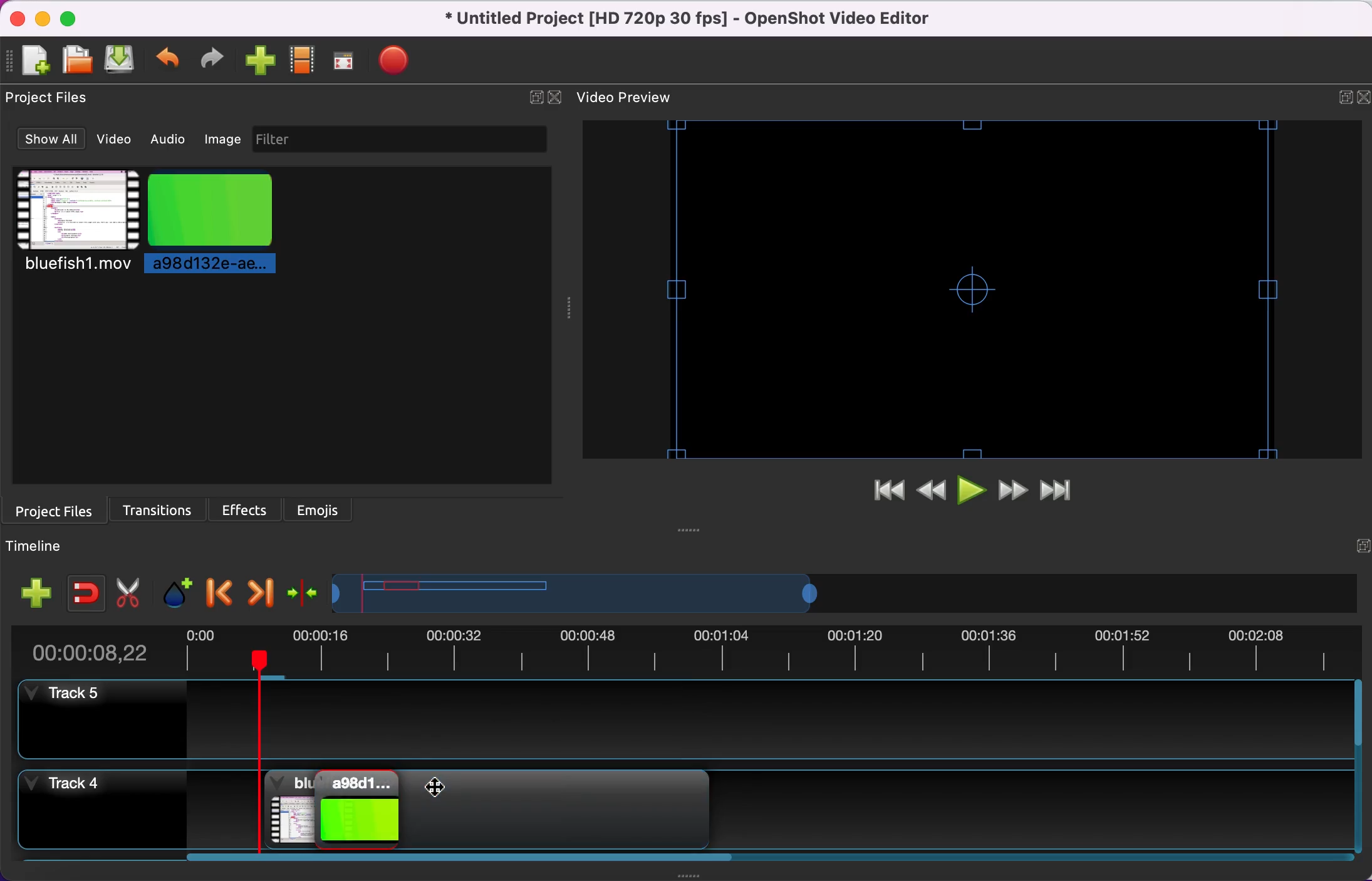  What do you see at coordinates (219, 591) in the screenshot?
I see `previous marker` at bounding box center [219, 591].